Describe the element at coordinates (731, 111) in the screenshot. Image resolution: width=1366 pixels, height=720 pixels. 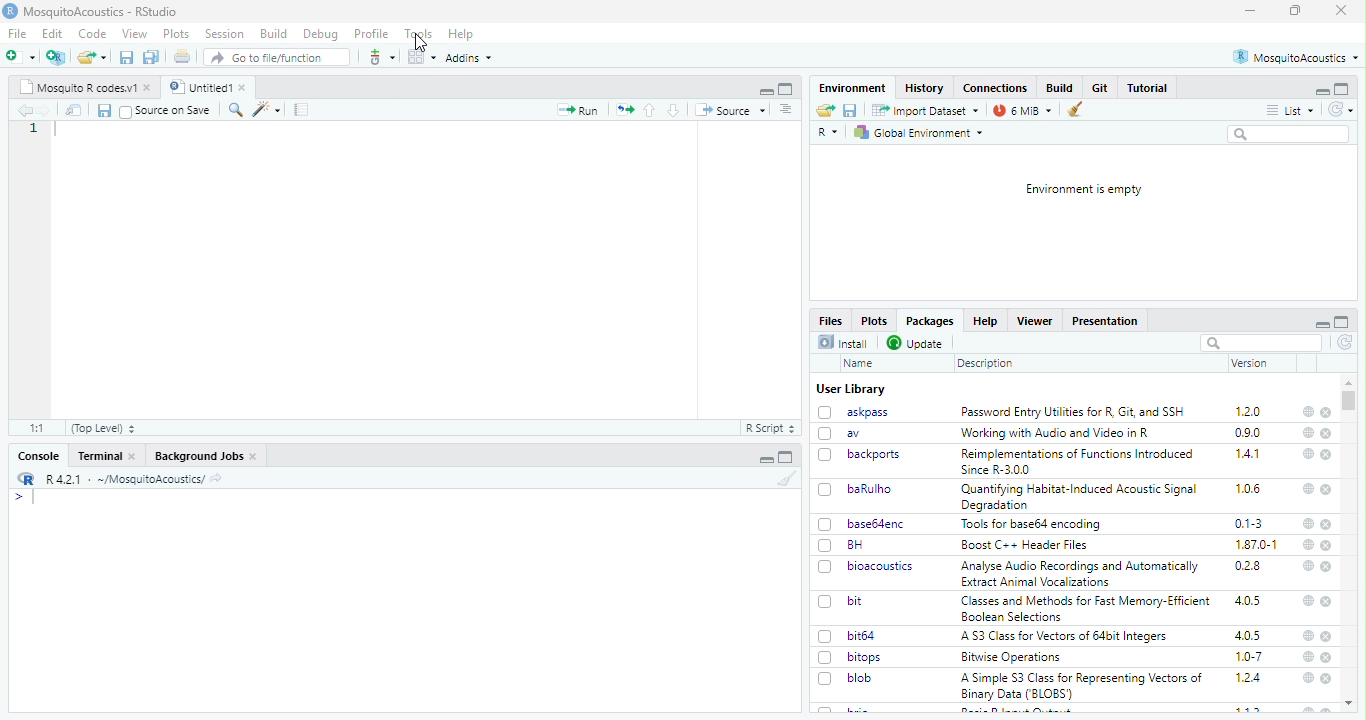
I see `Source` at that location.